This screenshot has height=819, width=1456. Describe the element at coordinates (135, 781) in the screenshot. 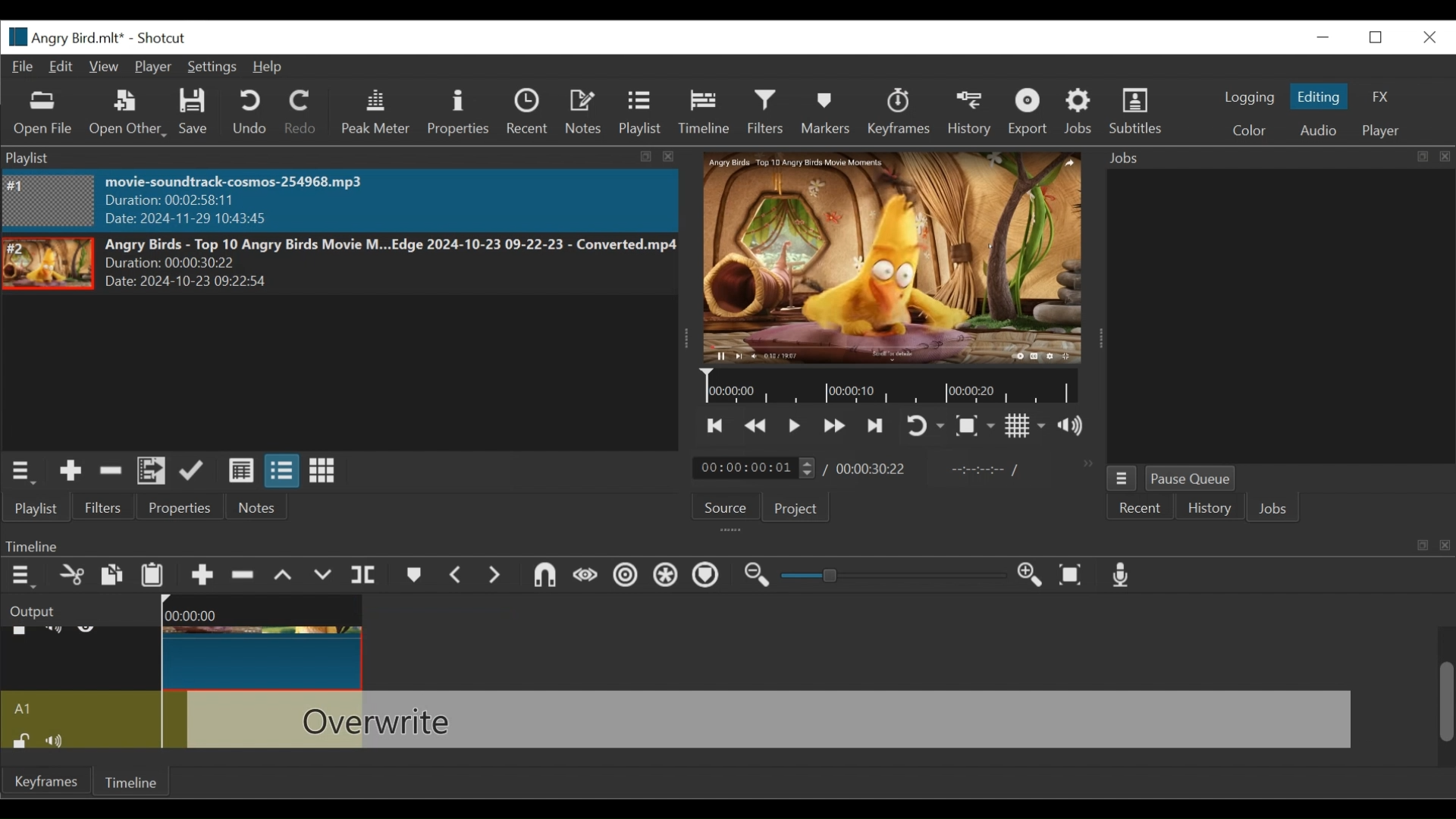

I see `Timeline` at that location.